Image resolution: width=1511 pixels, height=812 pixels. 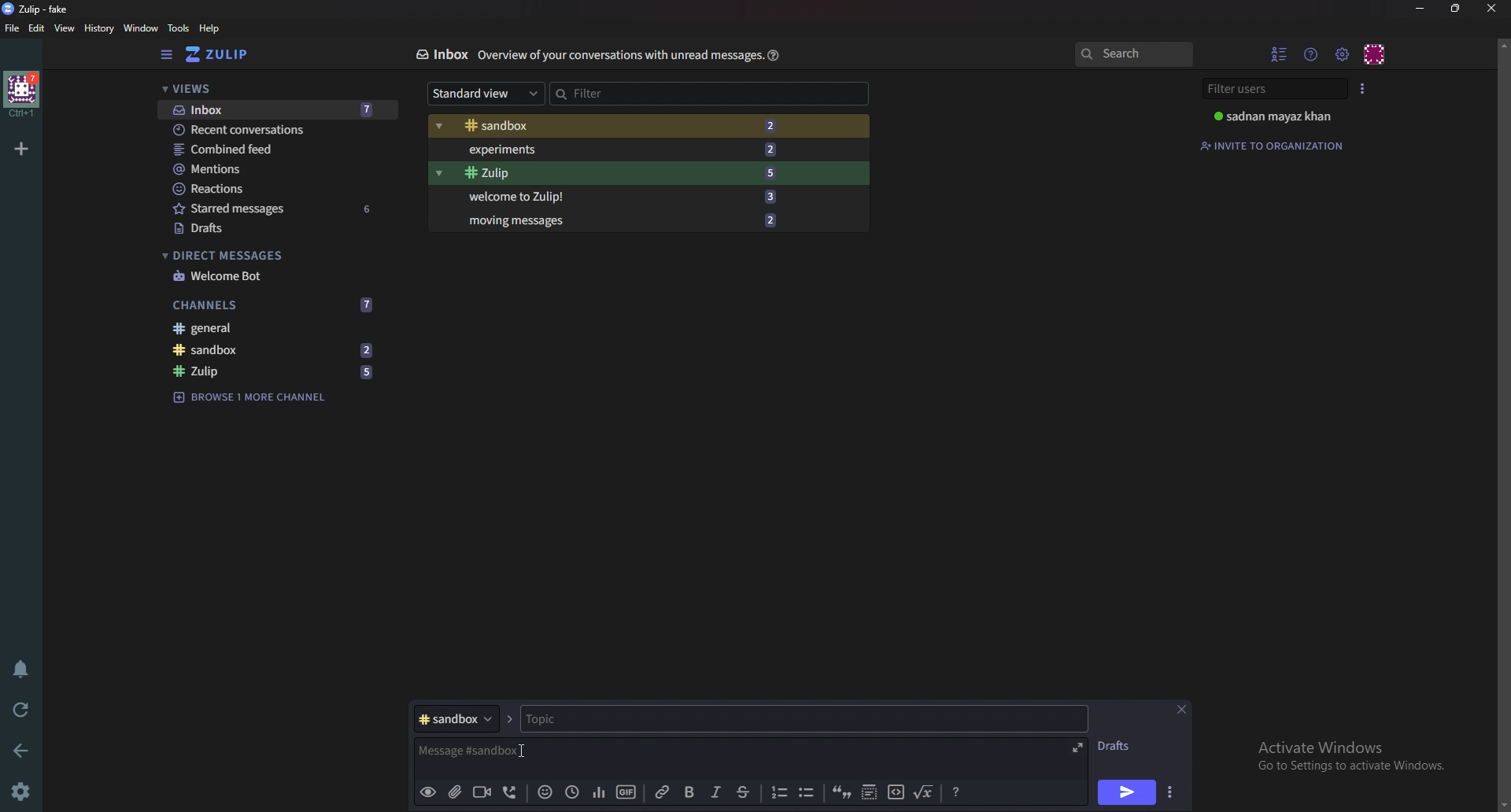 What do you see at coordinates (228, 54) in the screenshot?
I see `Home view` at bounding box center [228, 54].